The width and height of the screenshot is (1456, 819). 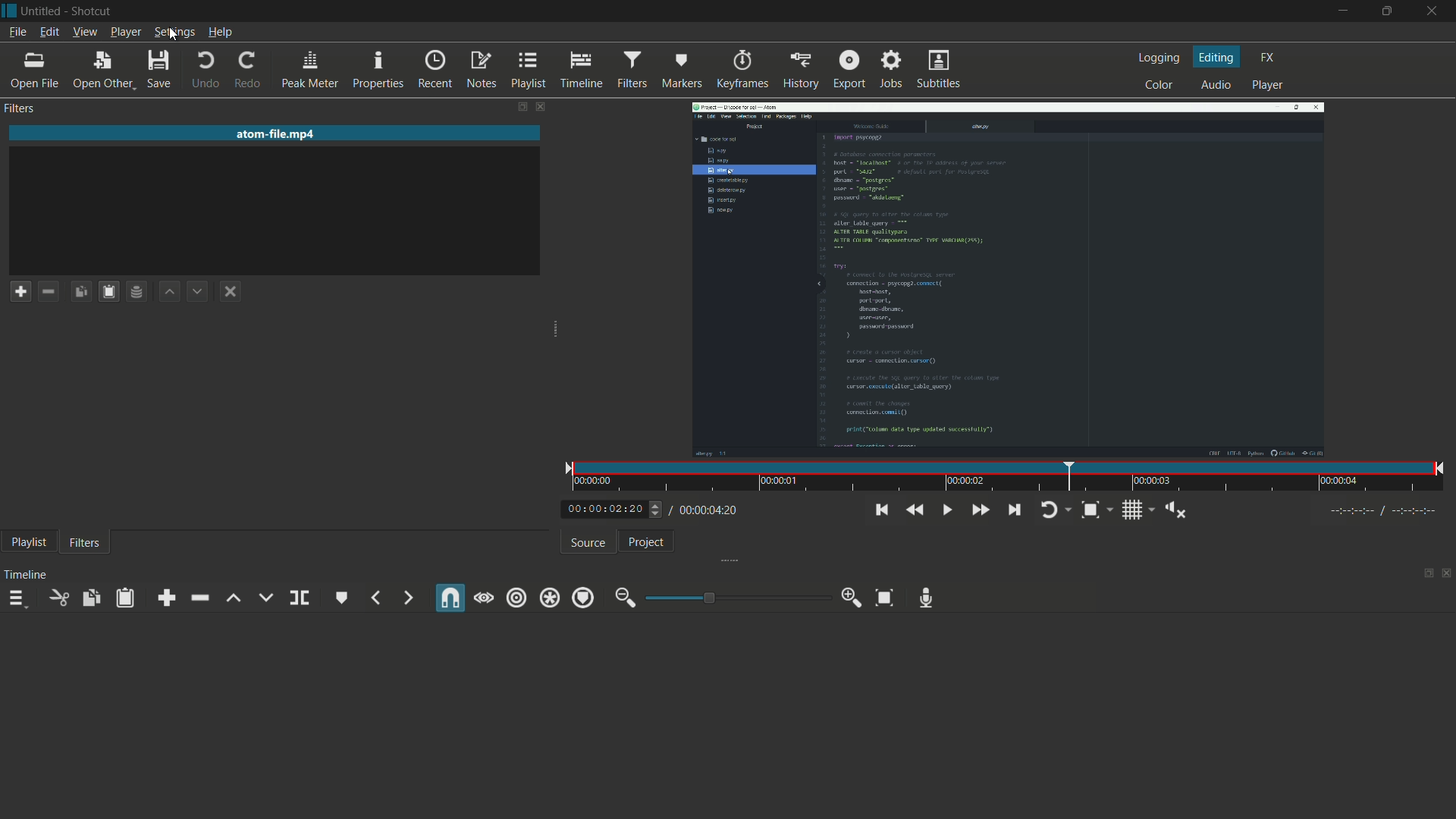 I want to click on zoom in, so click(x=853, y=598).